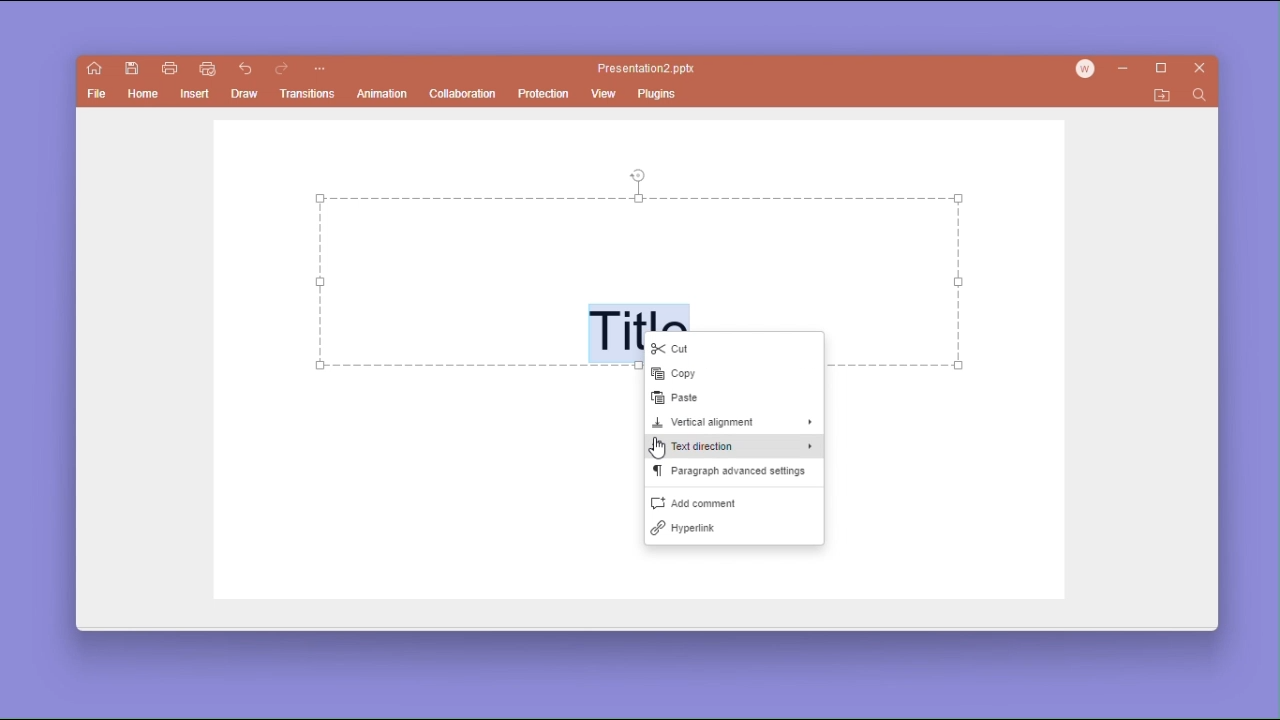 The width and height of the screenshot is (1280, 720). Describe the element at coordinates (1198, 96) in the screenshot. I see `find` at that location.